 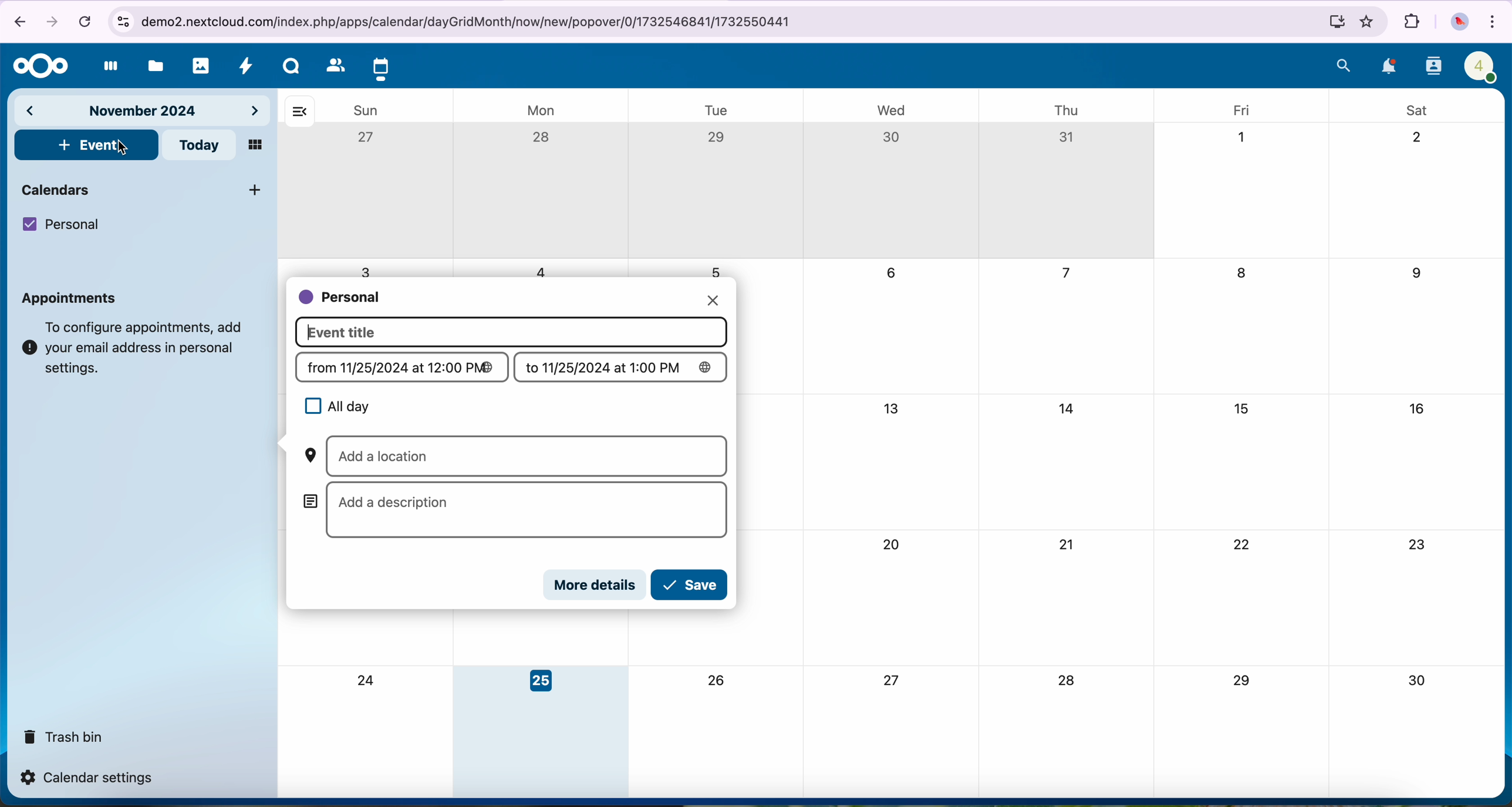 What do you see at coordinates (341, 298) in the screenshot?
I see `personal` at bounding box center [341, 298].